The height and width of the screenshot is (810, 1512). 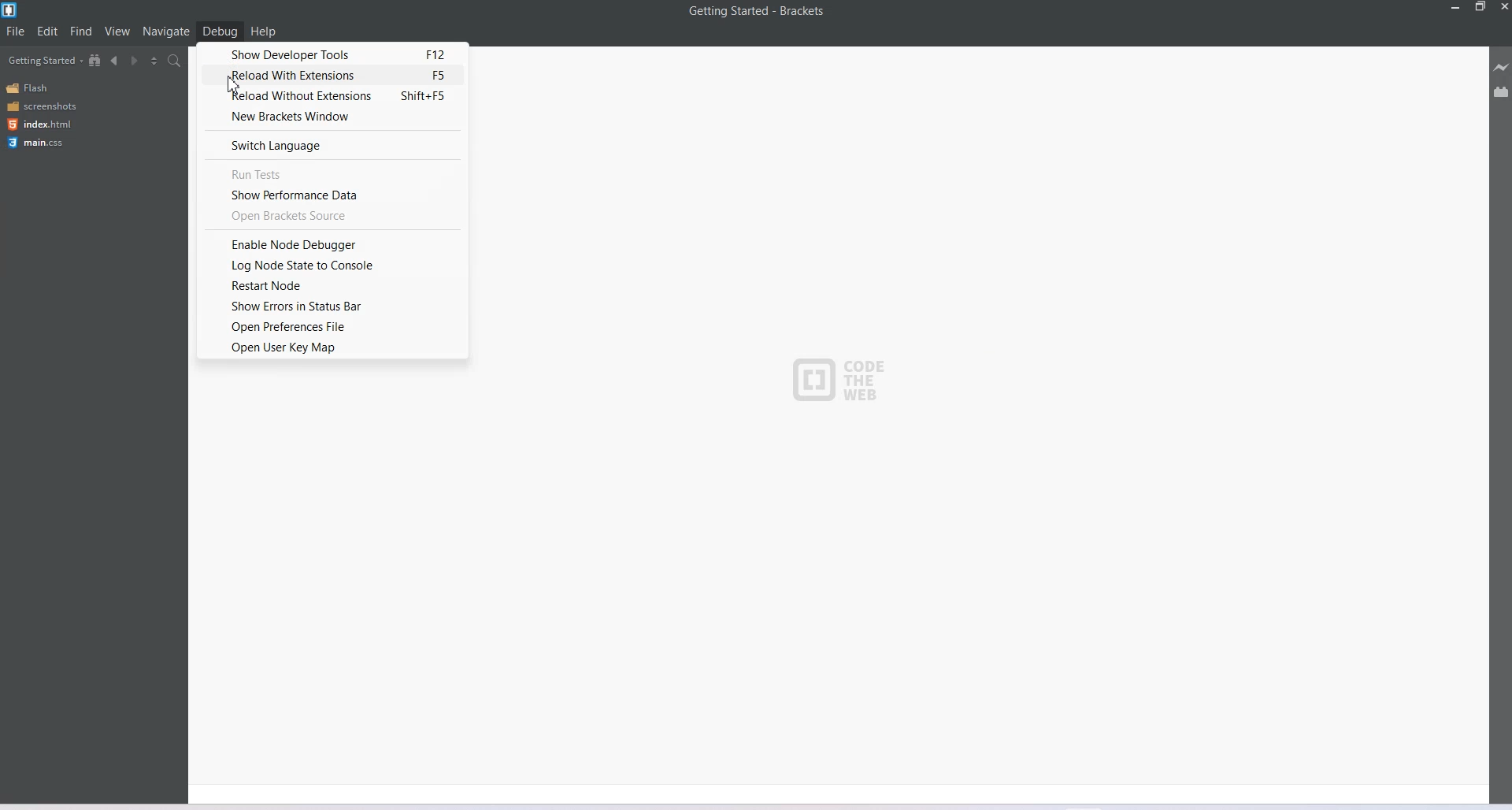 I want to click on Enable note debugger, so click(x=326, y=245).